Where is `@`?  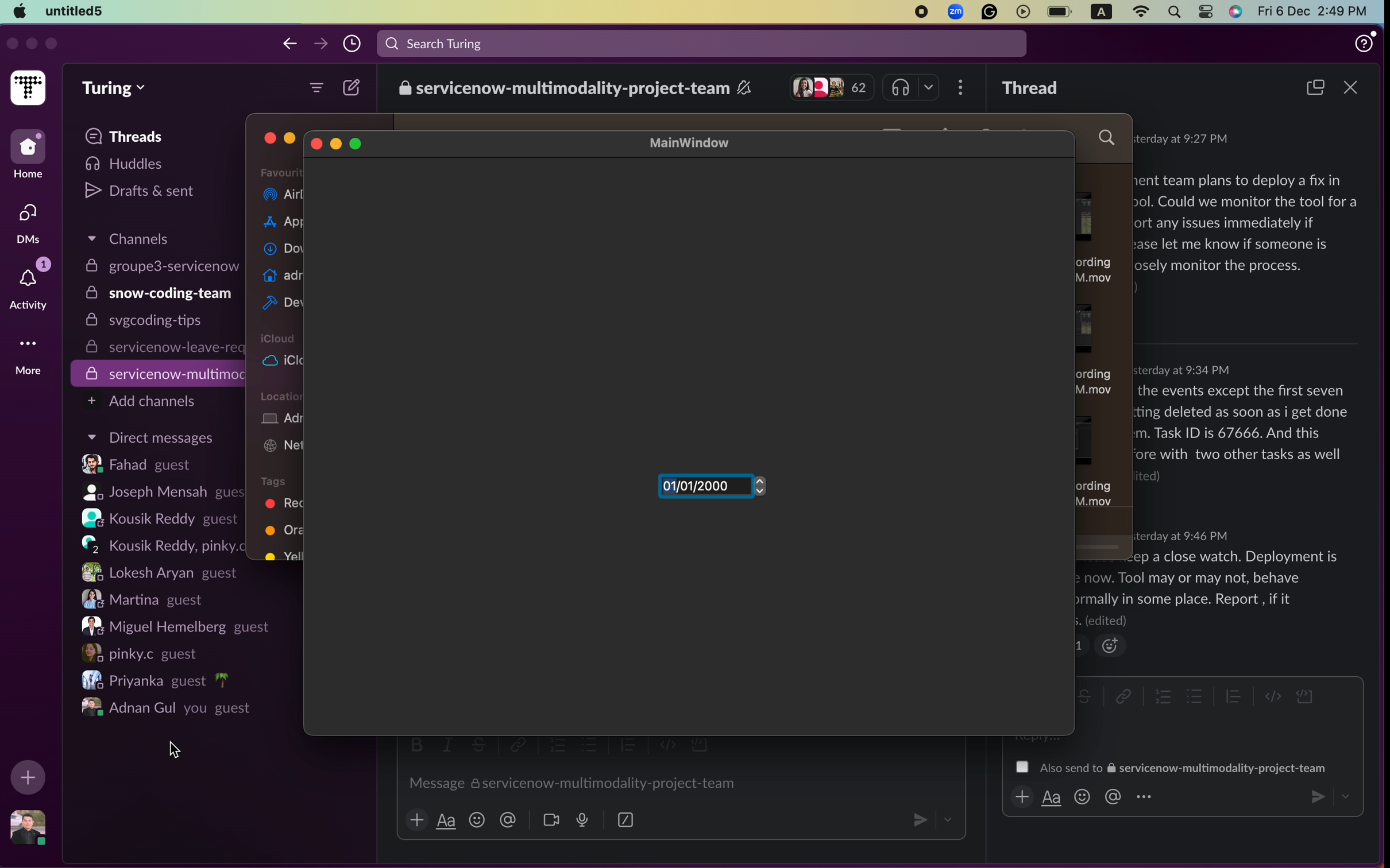 @ is located at coordinates (508, 820).